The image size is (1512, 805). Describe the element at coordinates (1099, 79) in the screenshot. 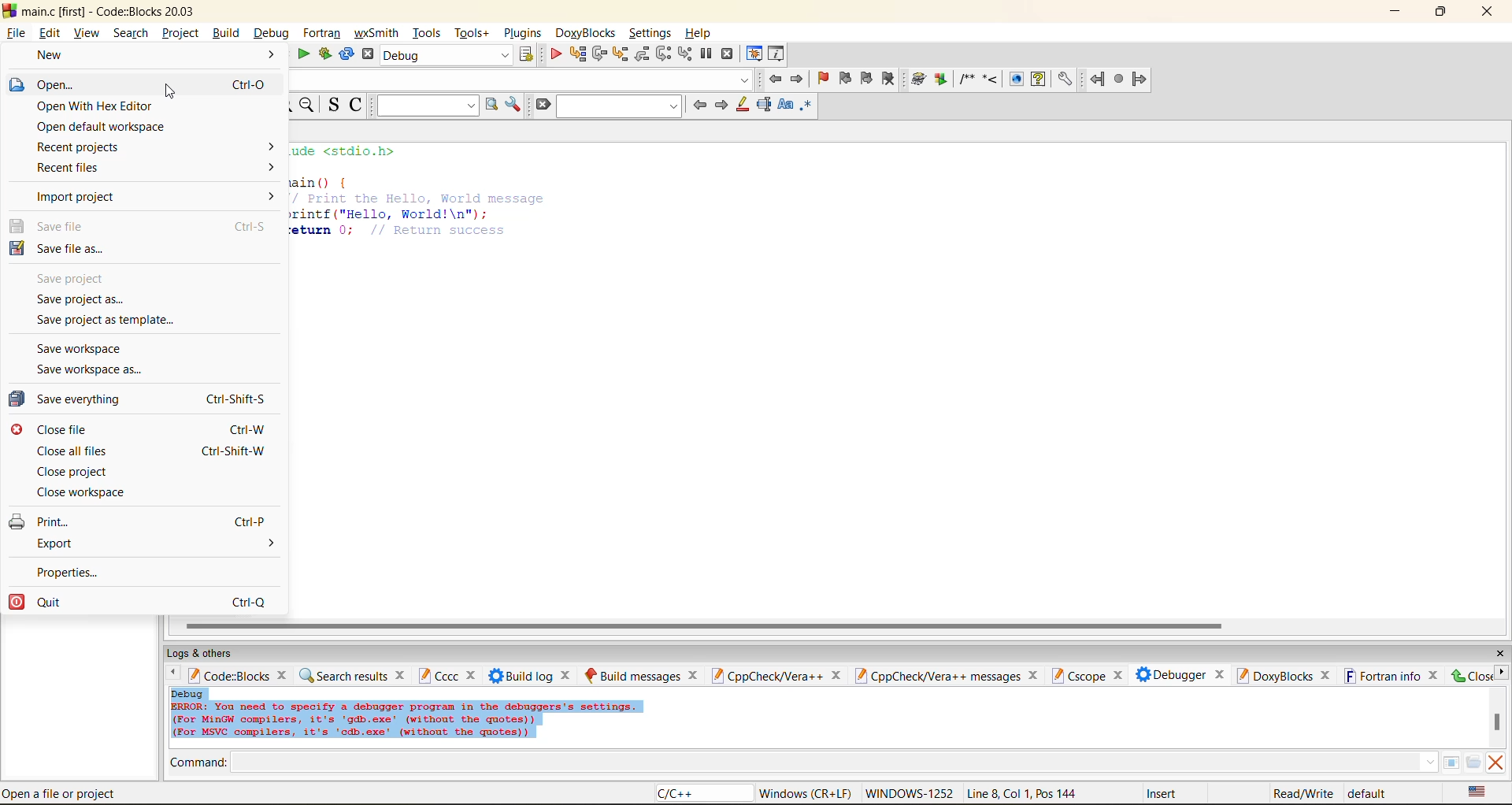

I see `back` at that location.